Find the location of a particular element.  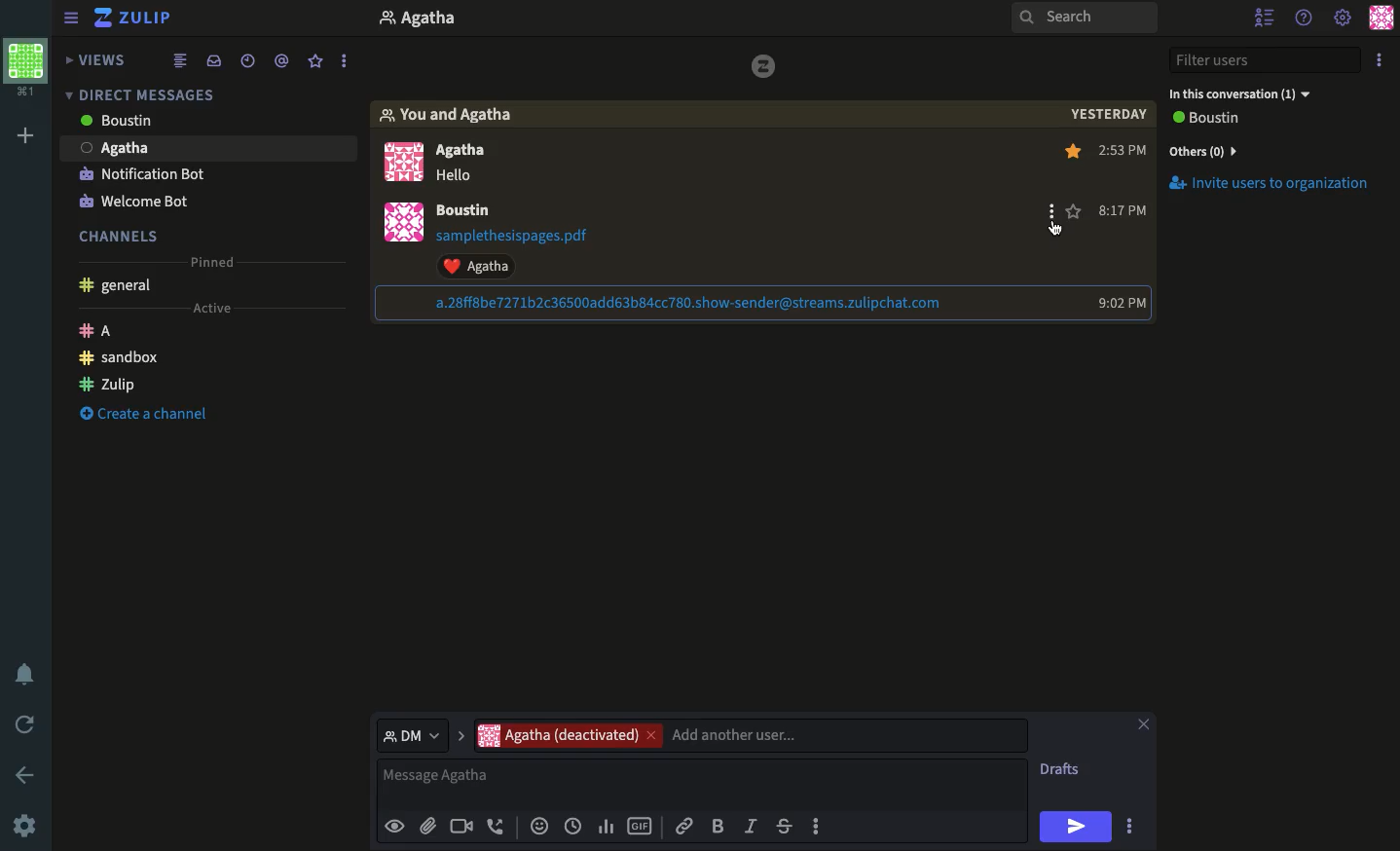

agatha is located at coordinates (204, 148).